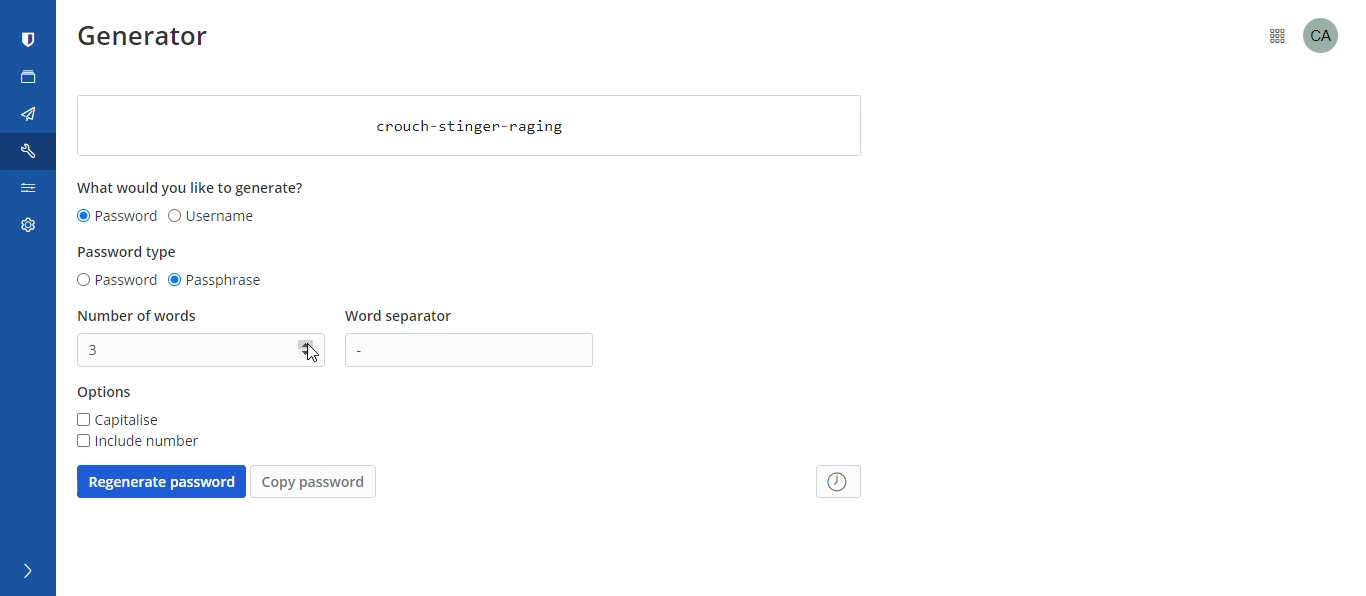 Image resolution: width=1366 pixels, height=596 pixels. Describe the element at coordinates (27, 192) in the screenshot. I see `search settings` at that location.